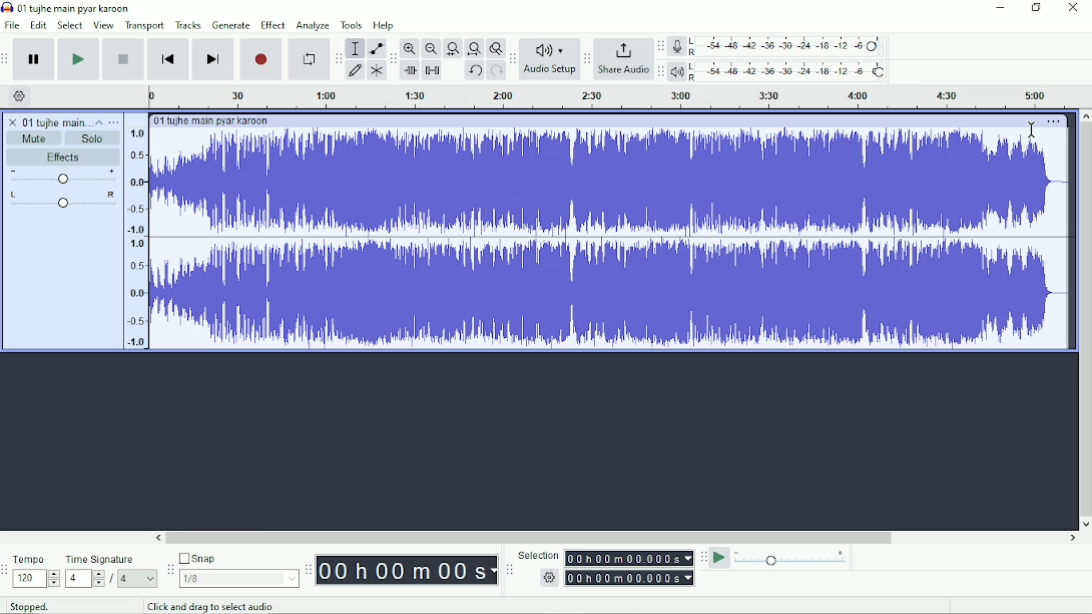 This screenshot has height=614, width=1092. What do you see at coordinates (34, 59) in the screenshot?
I see `Pause` at bounding box center [34, 59].